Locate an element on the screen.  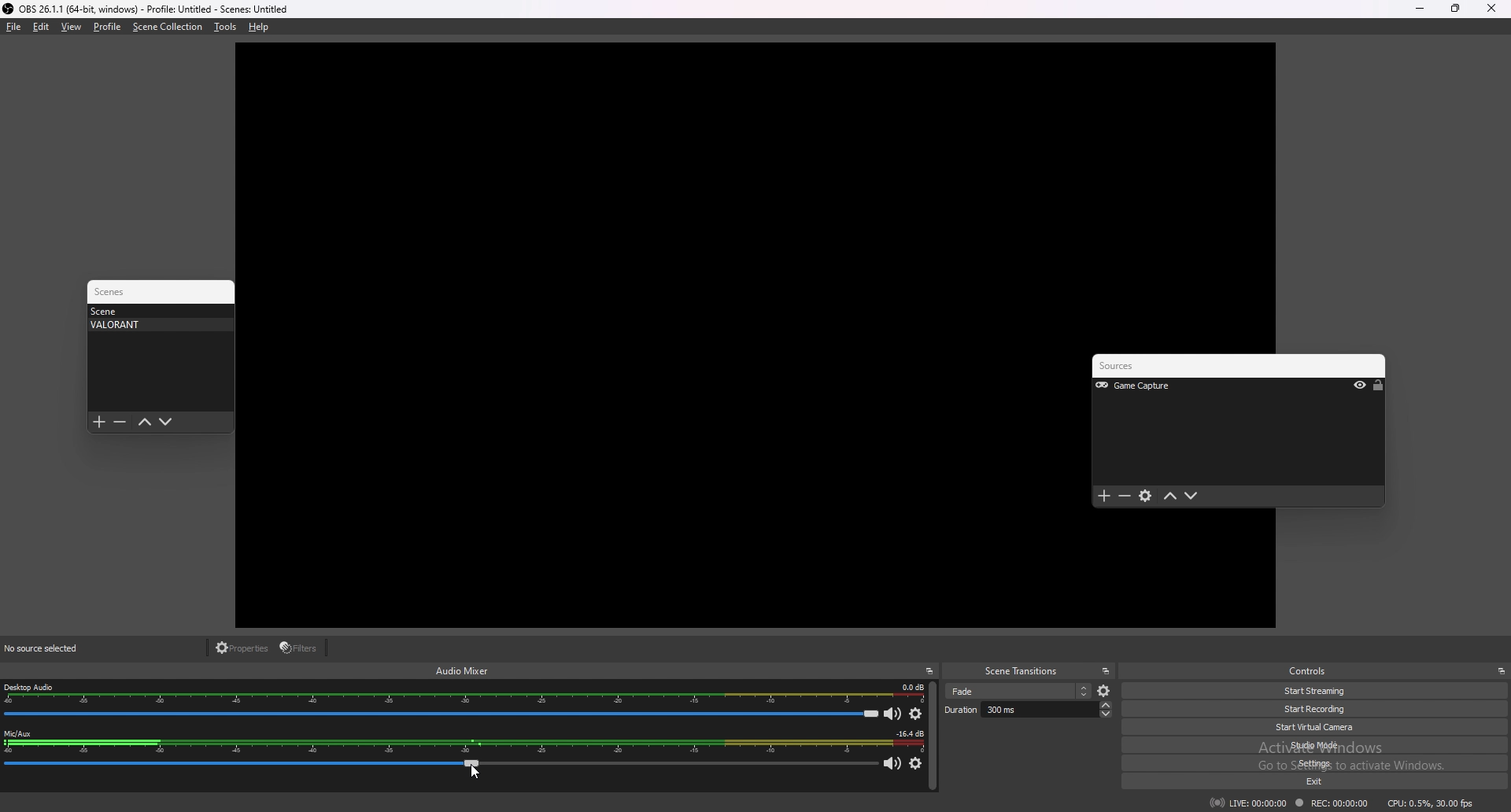
desktop audio is located at coordinates (464, 694).